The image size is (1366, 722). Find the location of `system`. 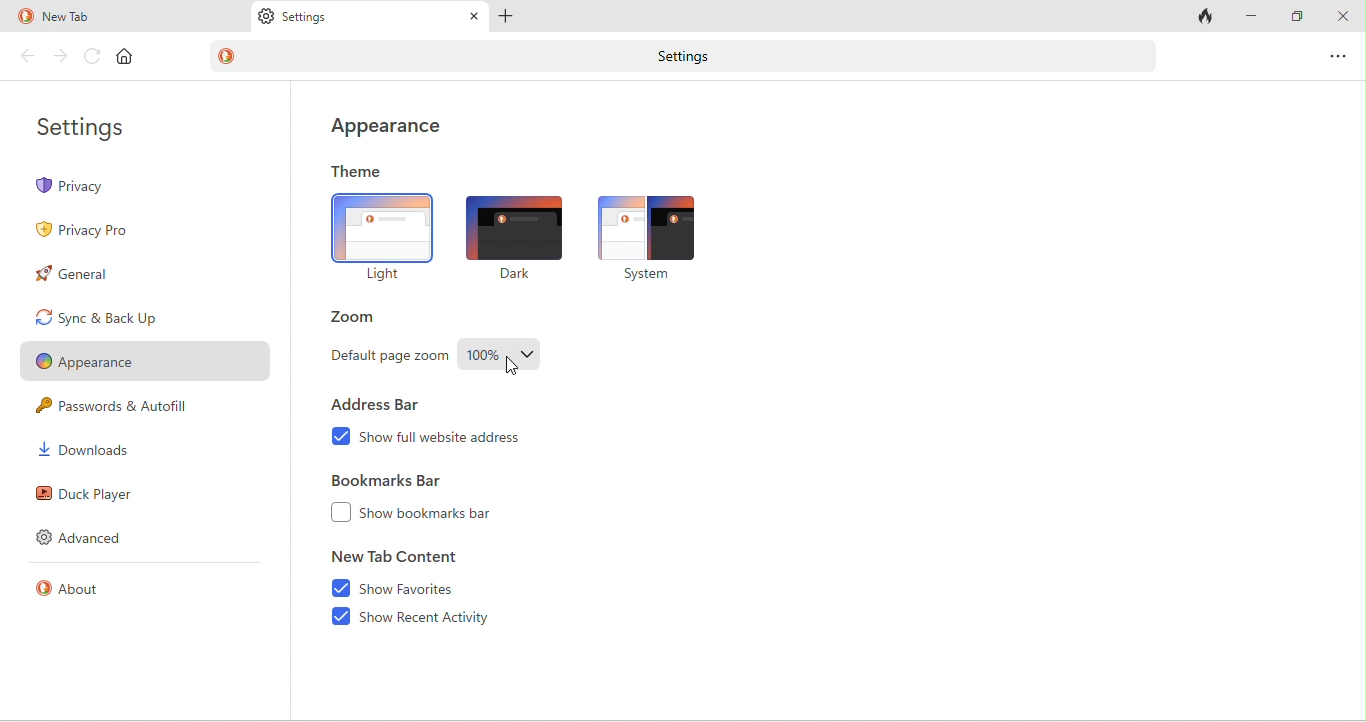

system is located at coordinates (652, 227).